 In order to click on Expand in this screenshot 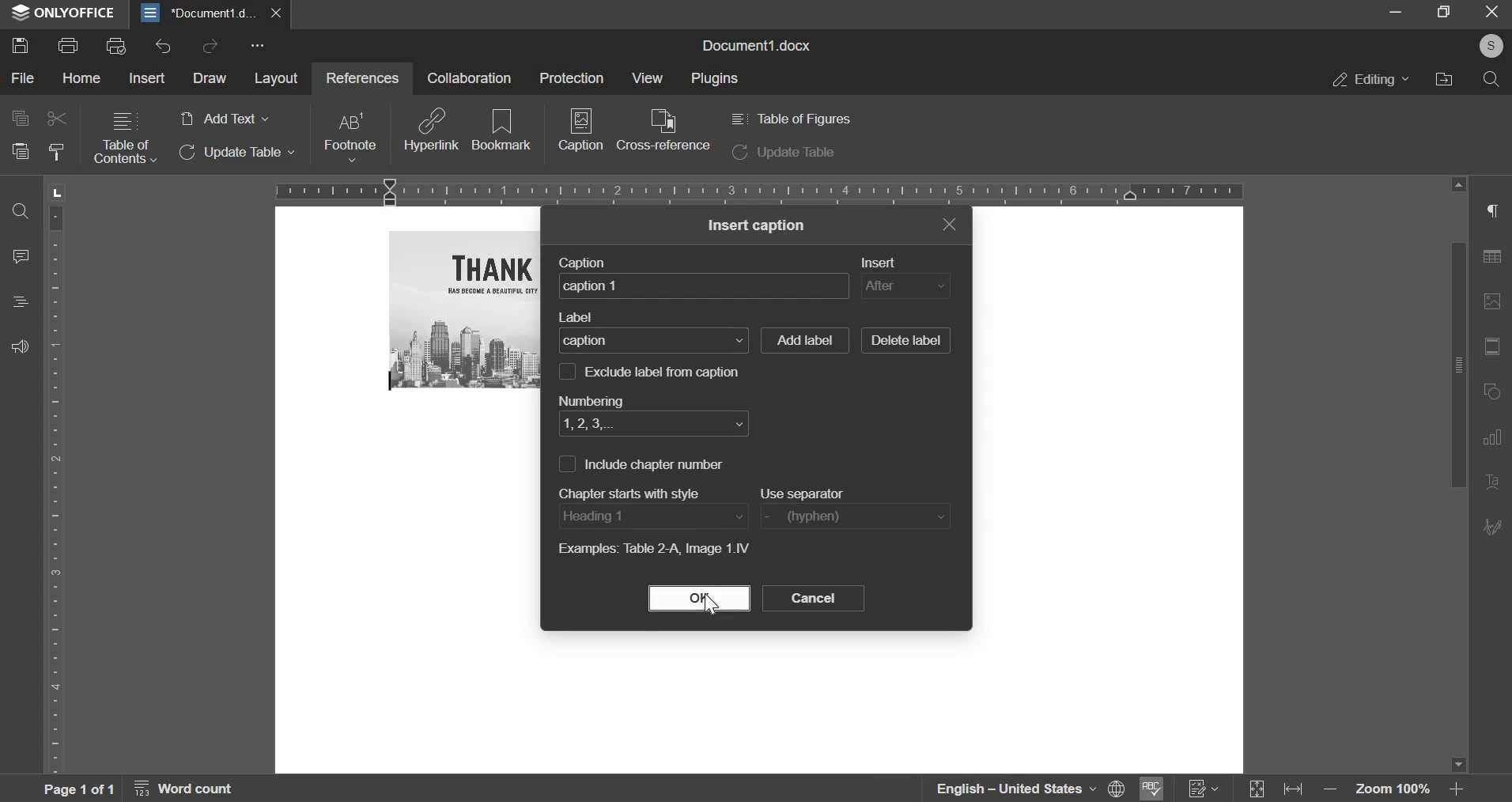, I will do `click(1258, 790)`.